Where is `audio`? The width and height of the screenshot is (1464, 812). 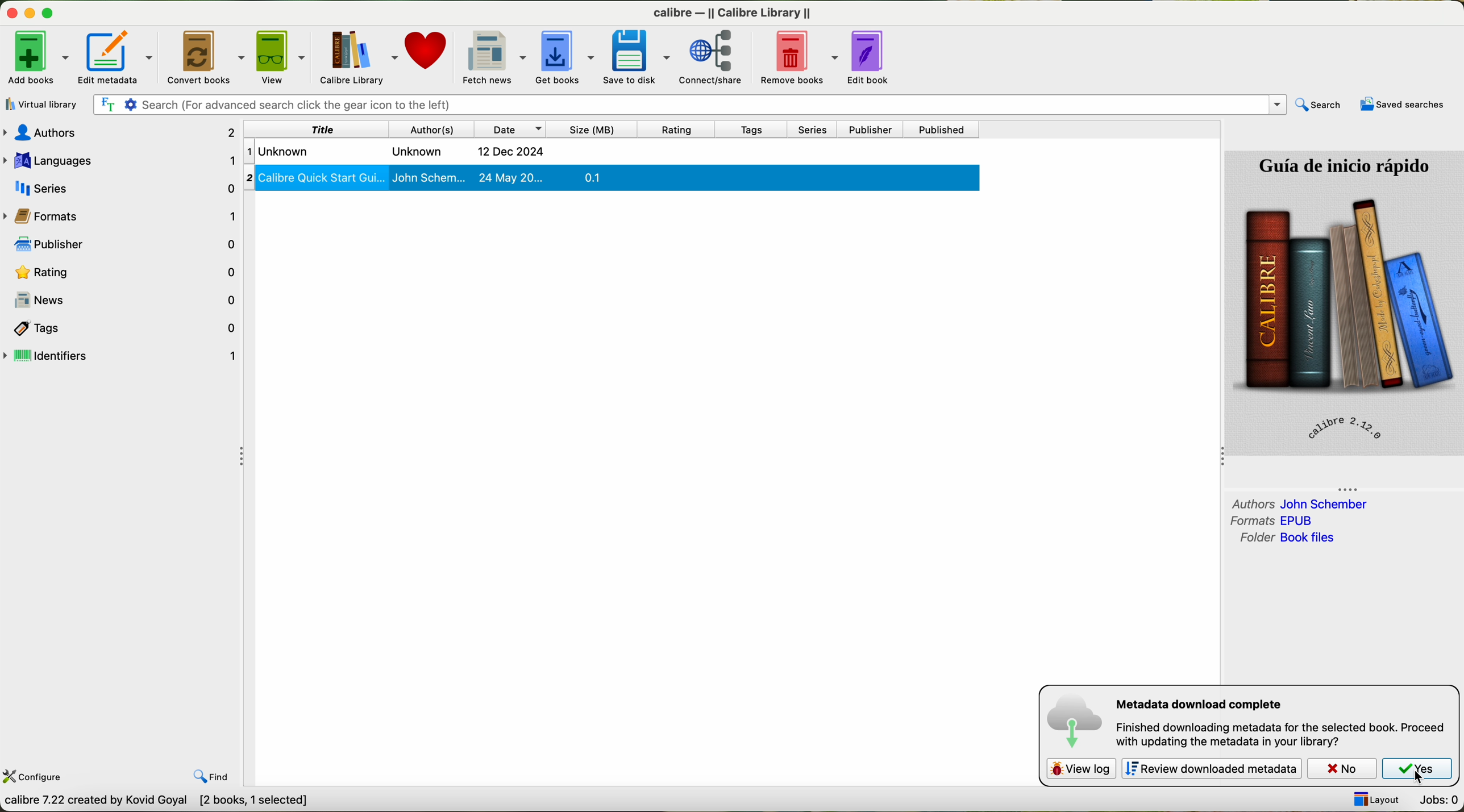
audio is located at coordinates (129, 134).